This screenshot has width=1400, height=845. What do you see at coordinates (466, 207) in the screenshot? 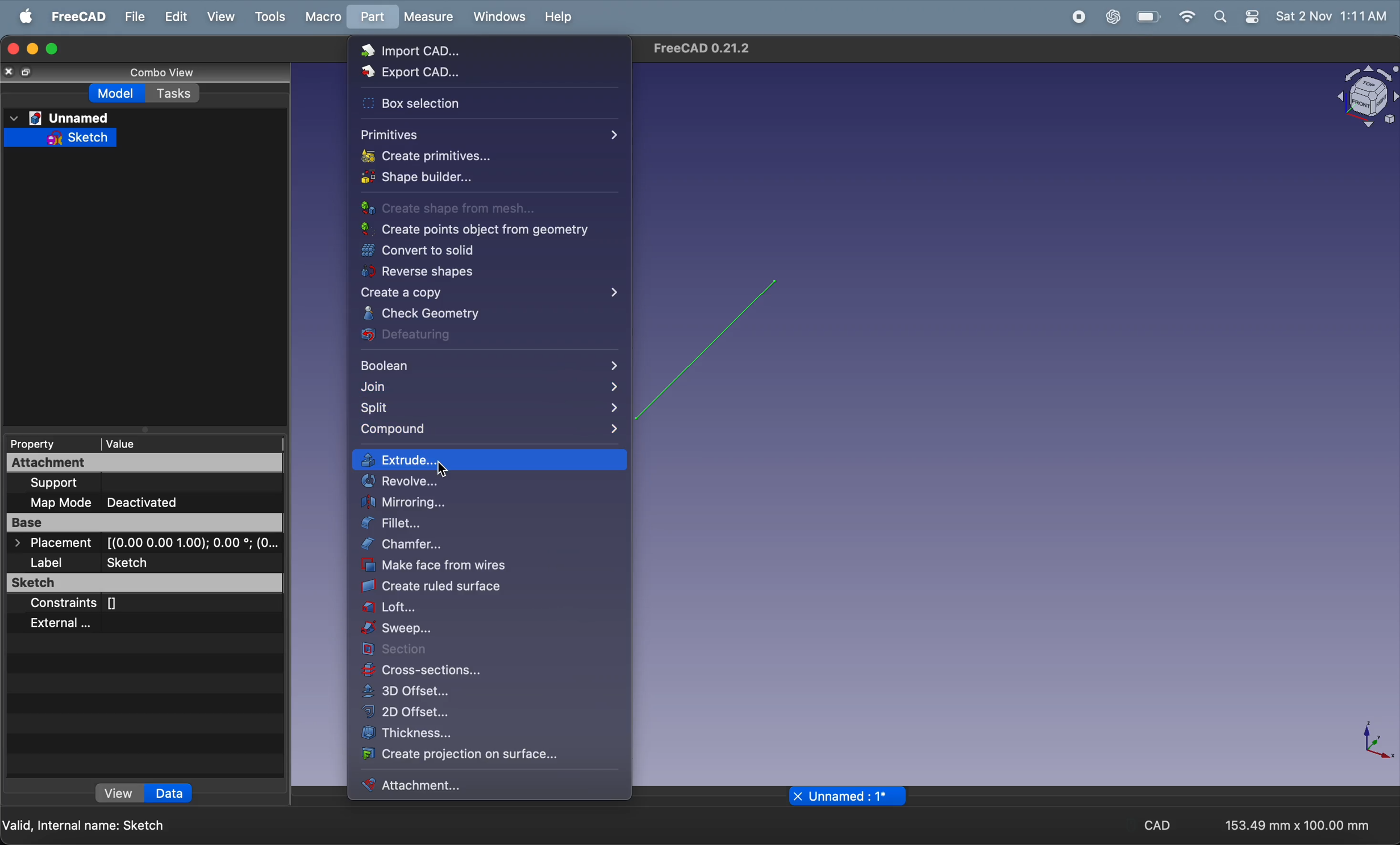
I see `create shape from mesh` at bounding box center [466, 207].